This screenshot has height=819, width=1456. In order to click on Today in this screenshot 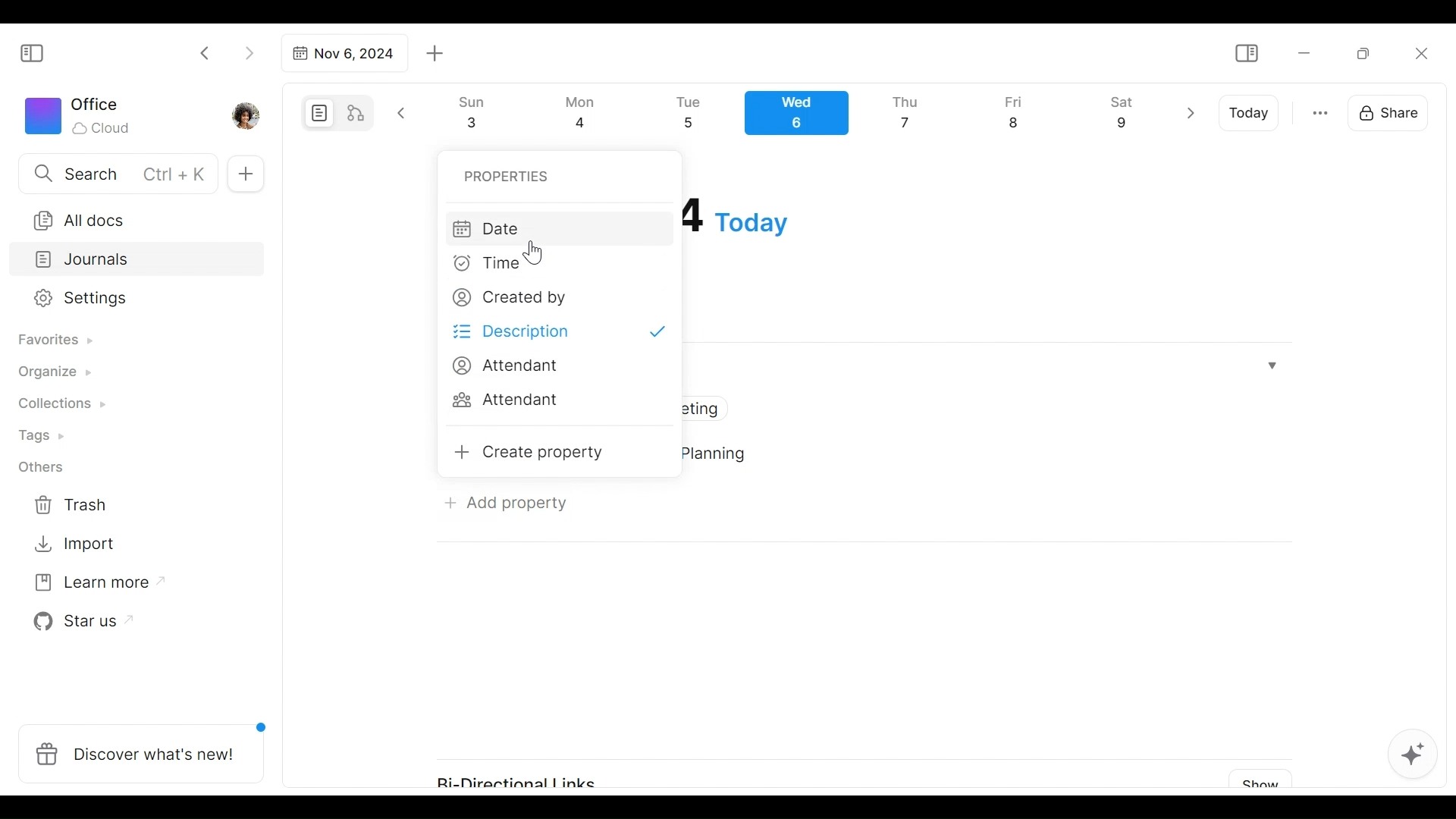, I will do `click(1250, 113)`.